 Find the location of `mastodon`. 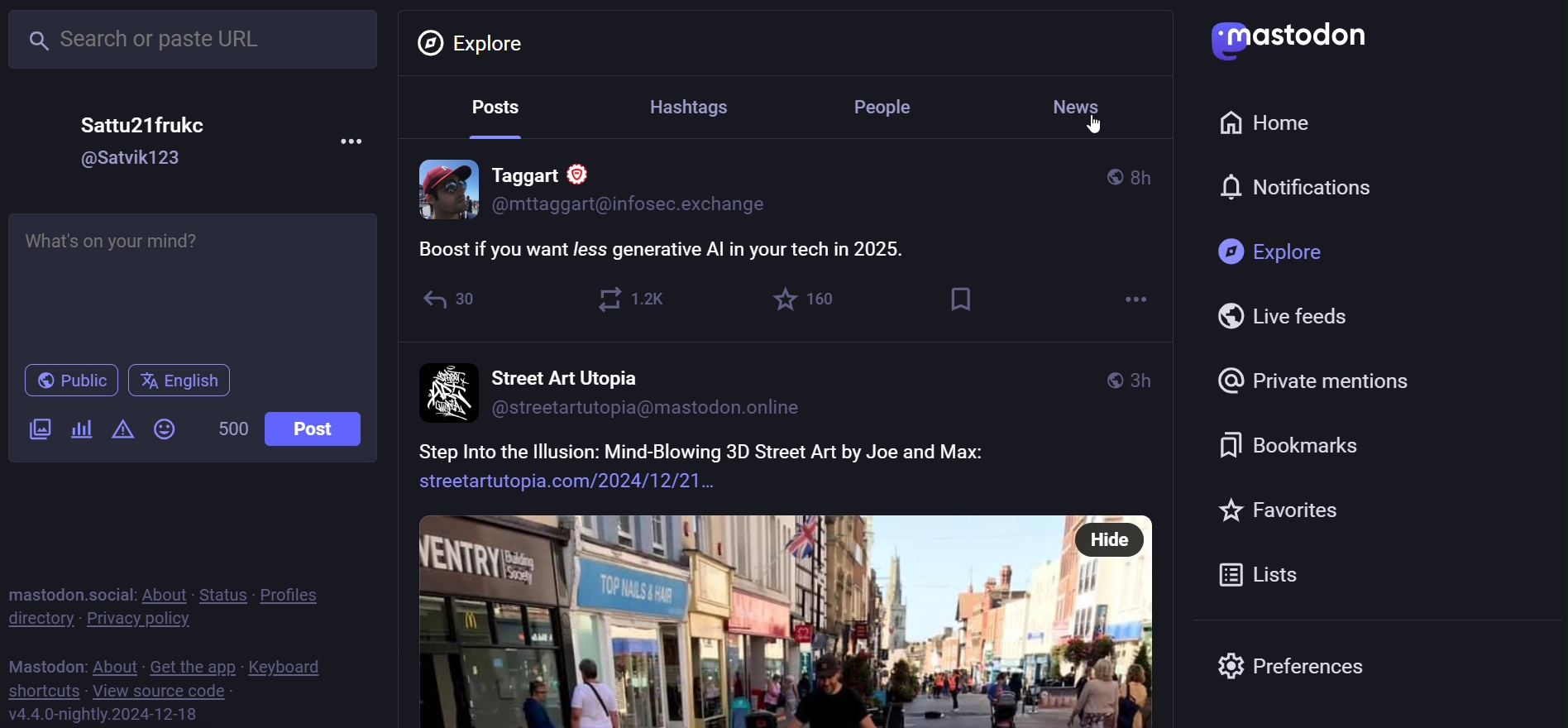

mastodon is located at coordinates (41, 664).